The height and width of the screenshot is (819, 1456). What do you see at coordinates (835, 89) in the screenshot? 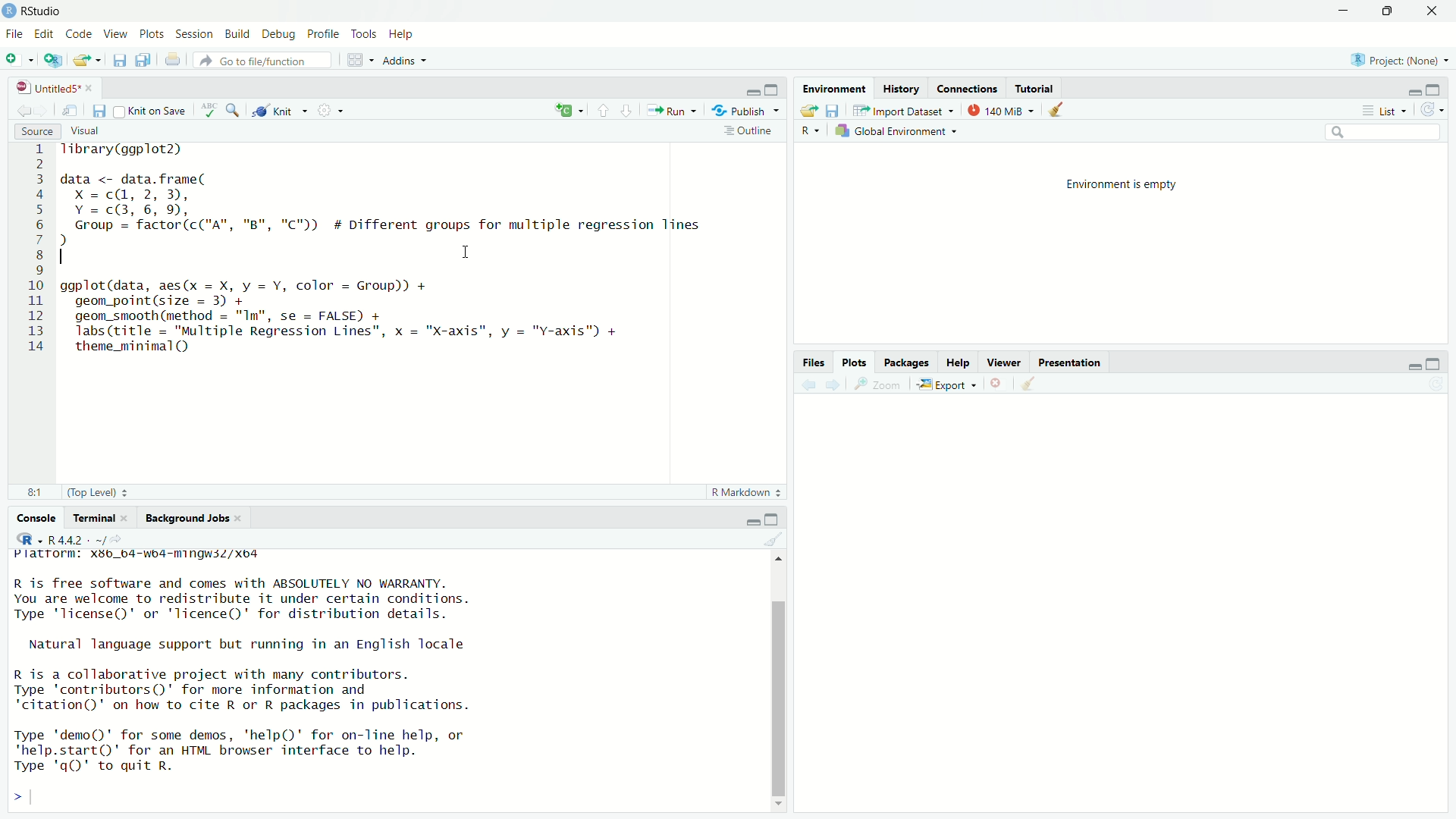
I see `Environment` at bounding box center [835, 89].